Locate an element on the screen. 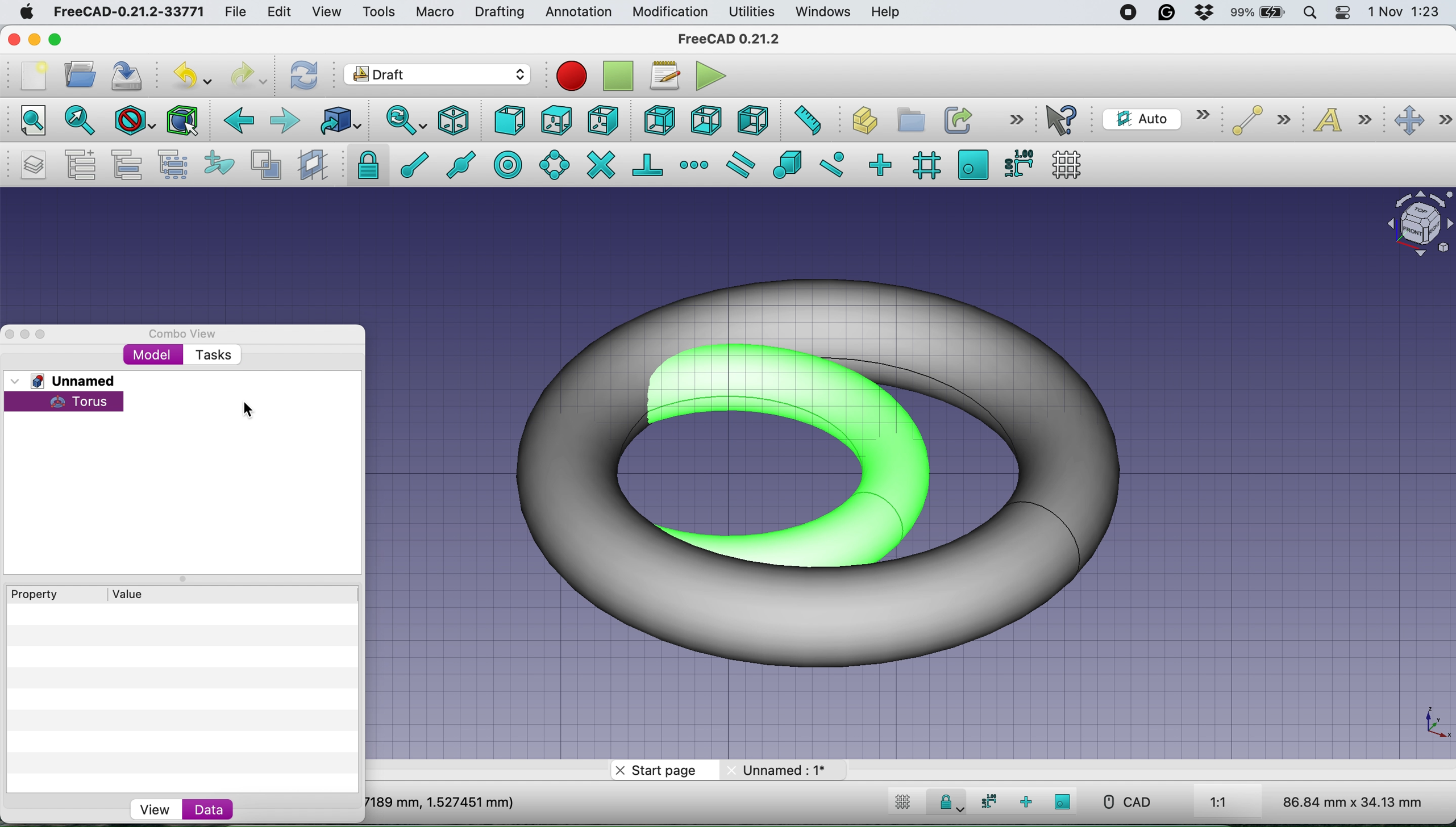  start page is located at coordinates (662, 771).